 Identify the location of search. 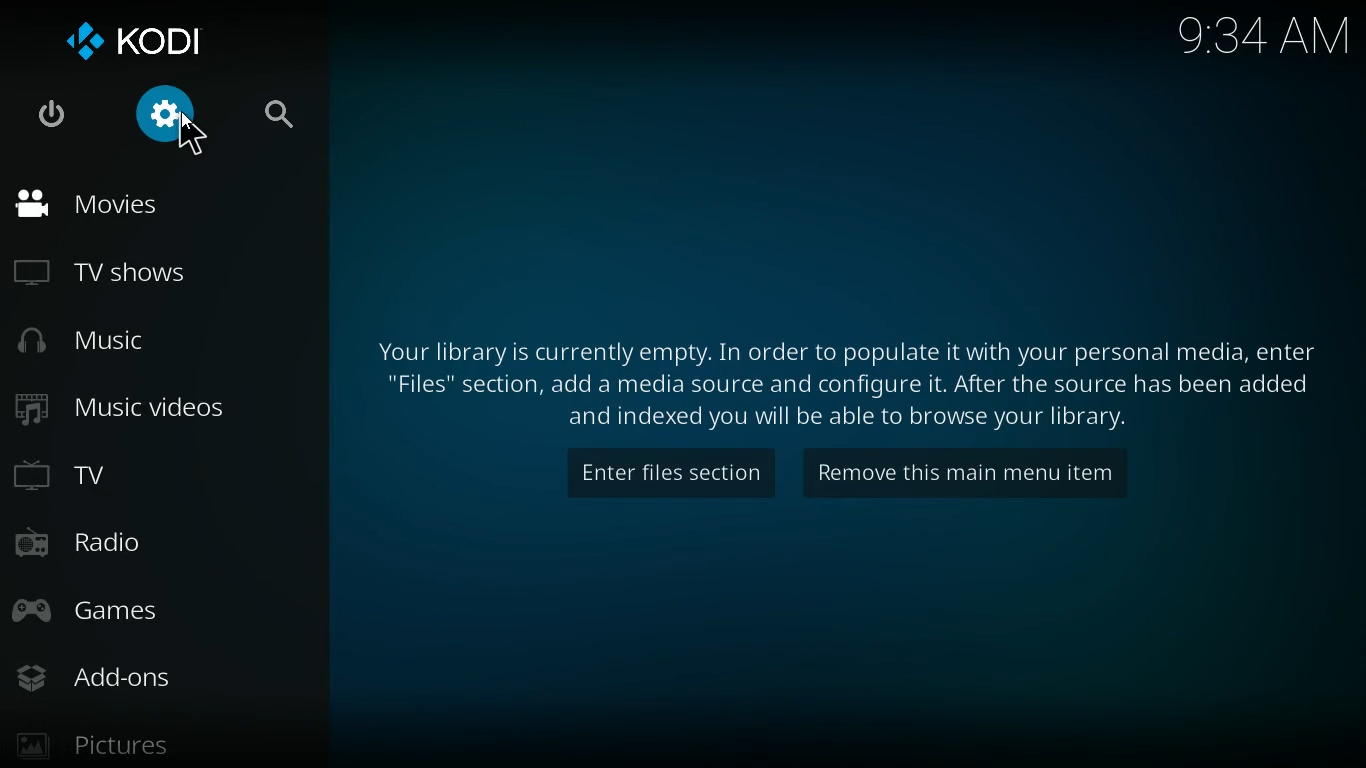
(283, 116).